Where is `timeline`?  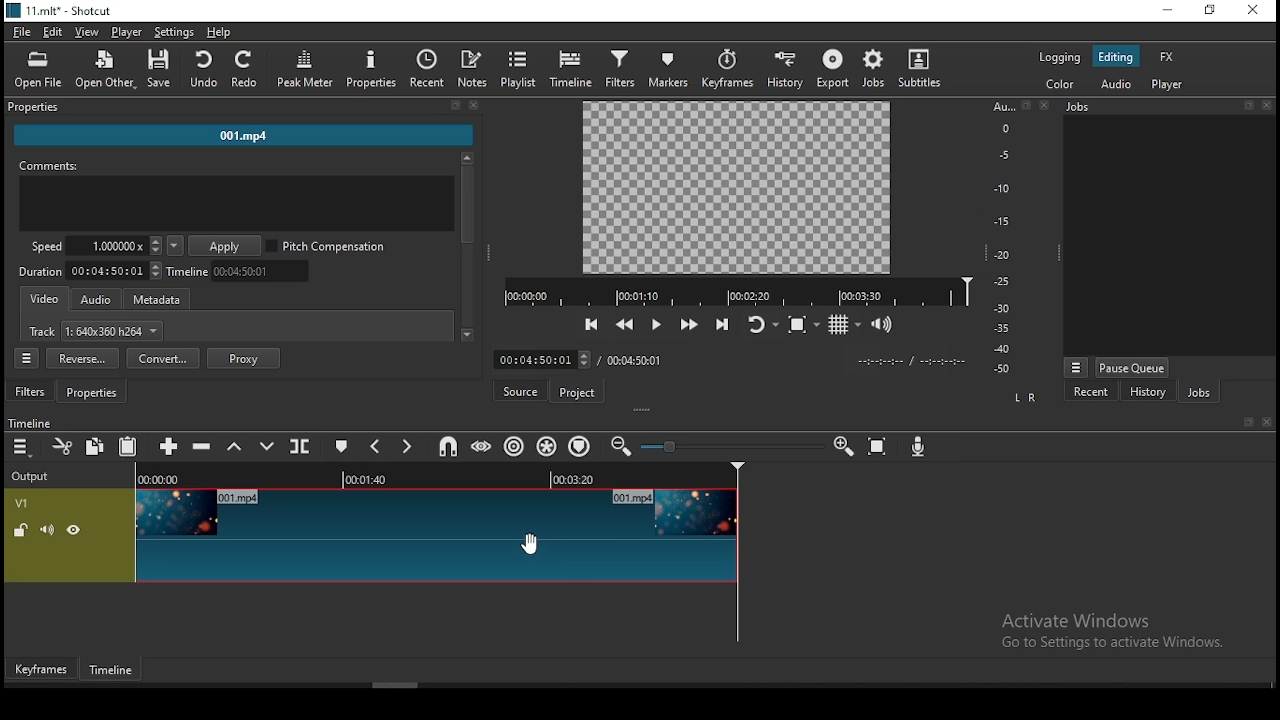 timeline is located at coordinates (28, 423).